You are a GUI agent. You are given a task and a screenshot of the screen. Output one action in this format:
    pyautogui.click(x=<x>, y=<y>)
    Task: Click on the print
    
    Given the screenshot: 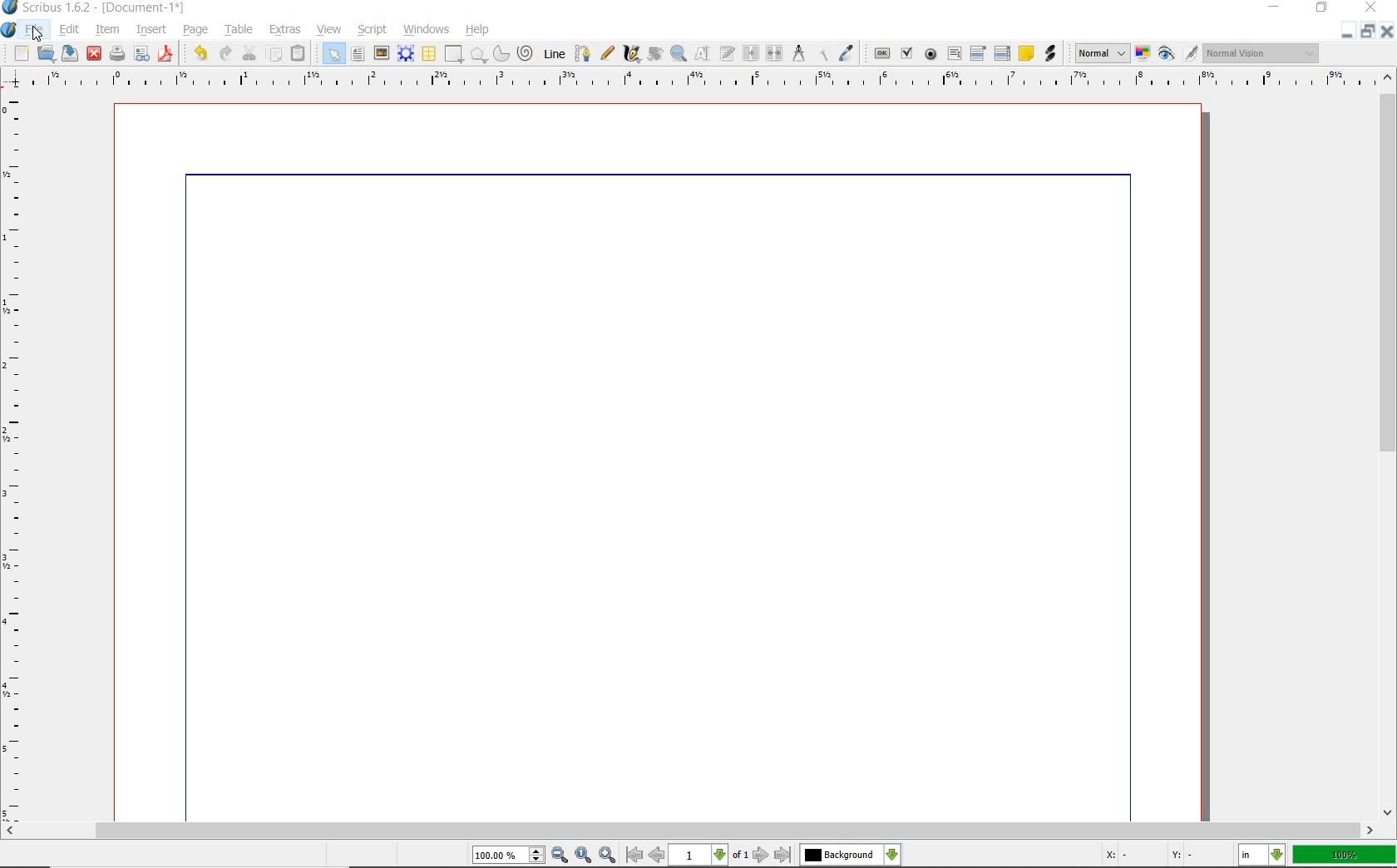 What is the action you would take?
    pyautogui.click(x=117, y=55)
    